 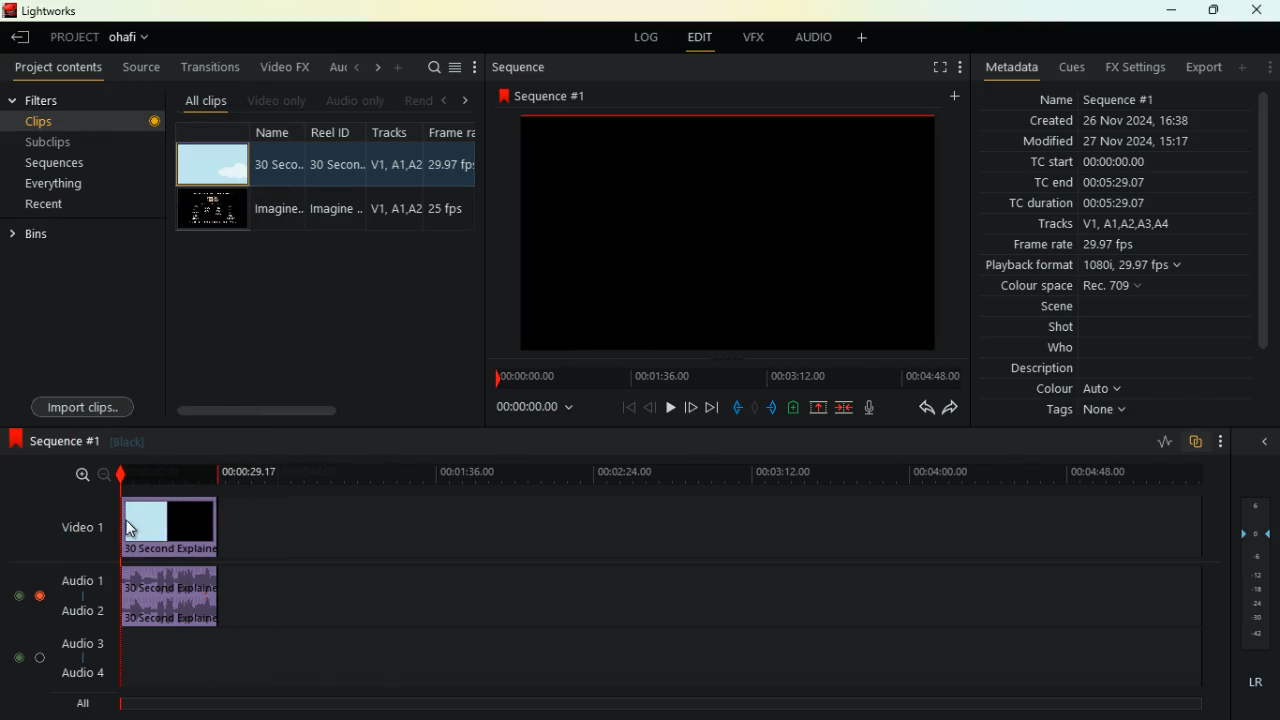 What do you see at coordinates (550, 96) in the screenshot?
I see `sequence` at bounding box center [550, 96].